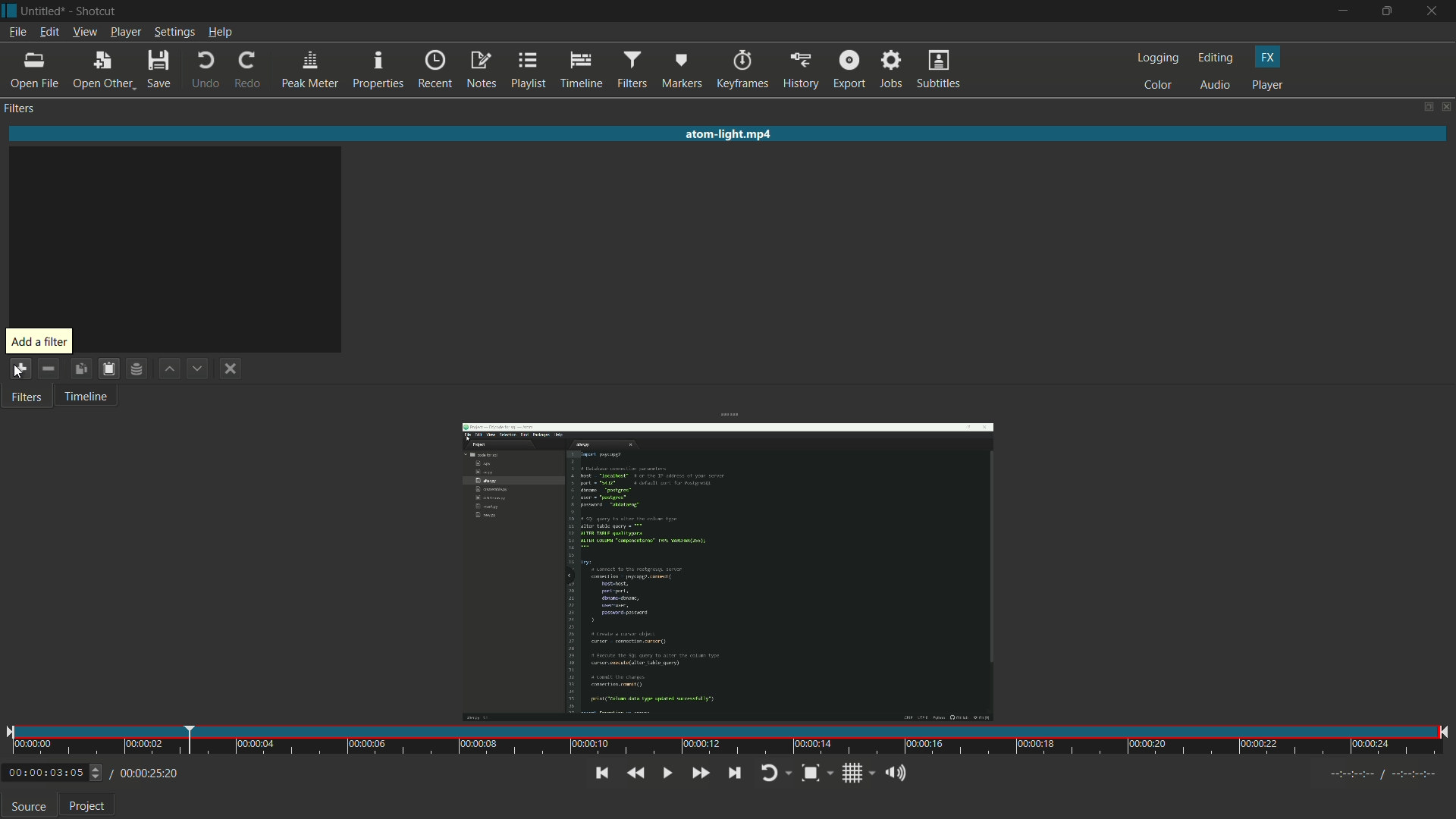  What do you see at coordinates (435, 70) in the screenshot?
I see `recent` at bounding box center [435, 70].